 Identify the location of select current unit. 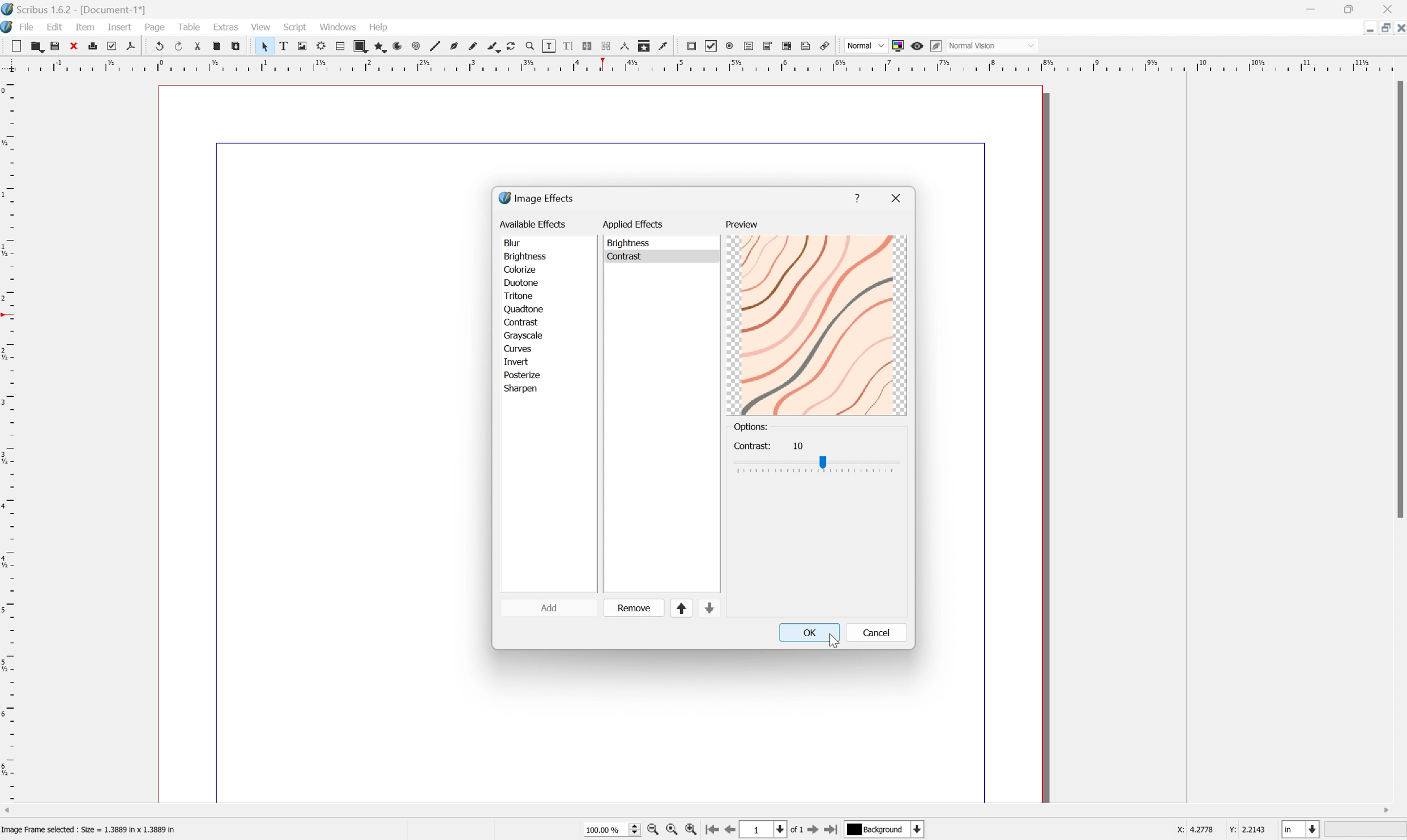
(1302, 829).